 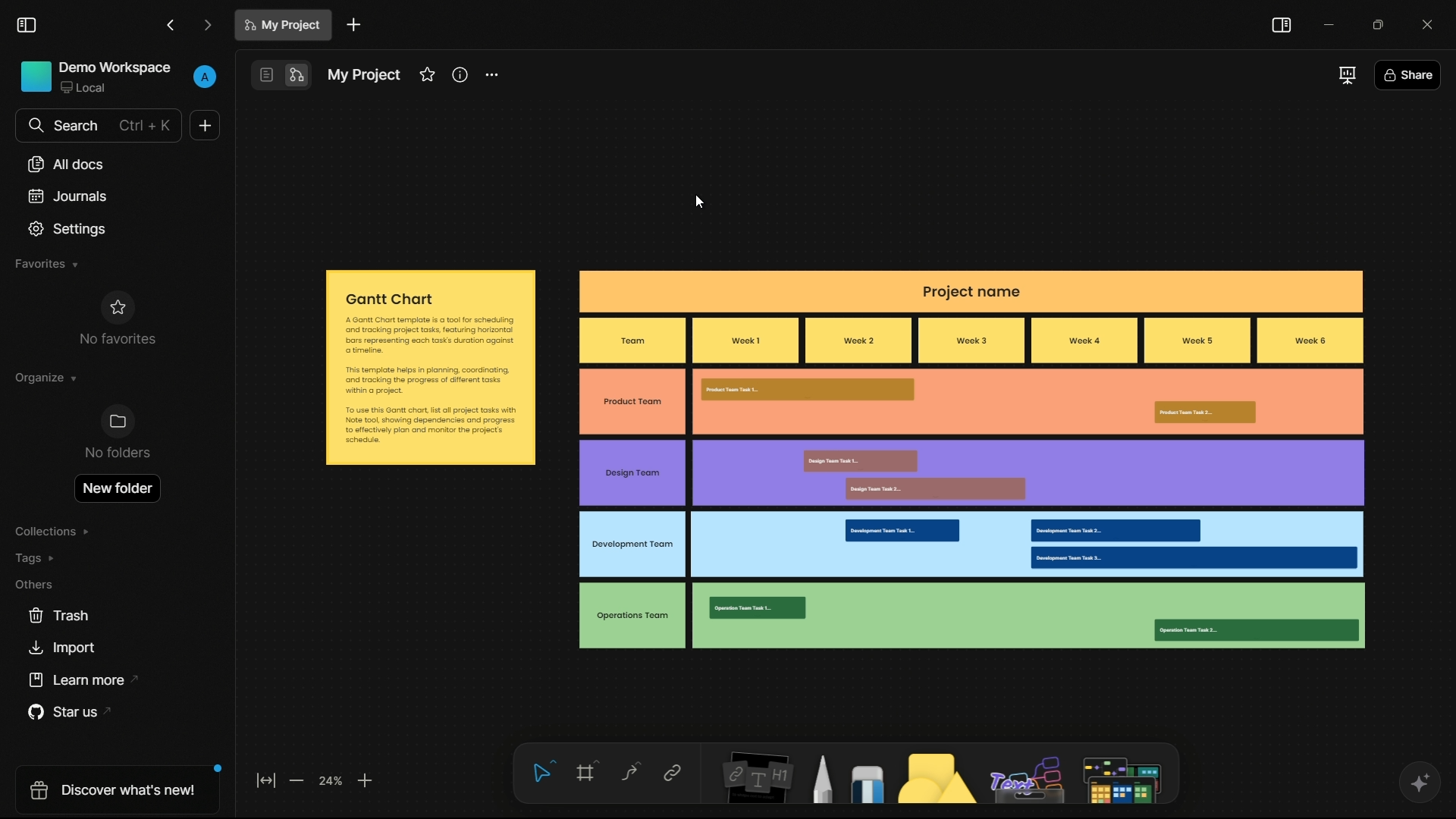 I want to click on minimize, so click(x=1327, y=22).